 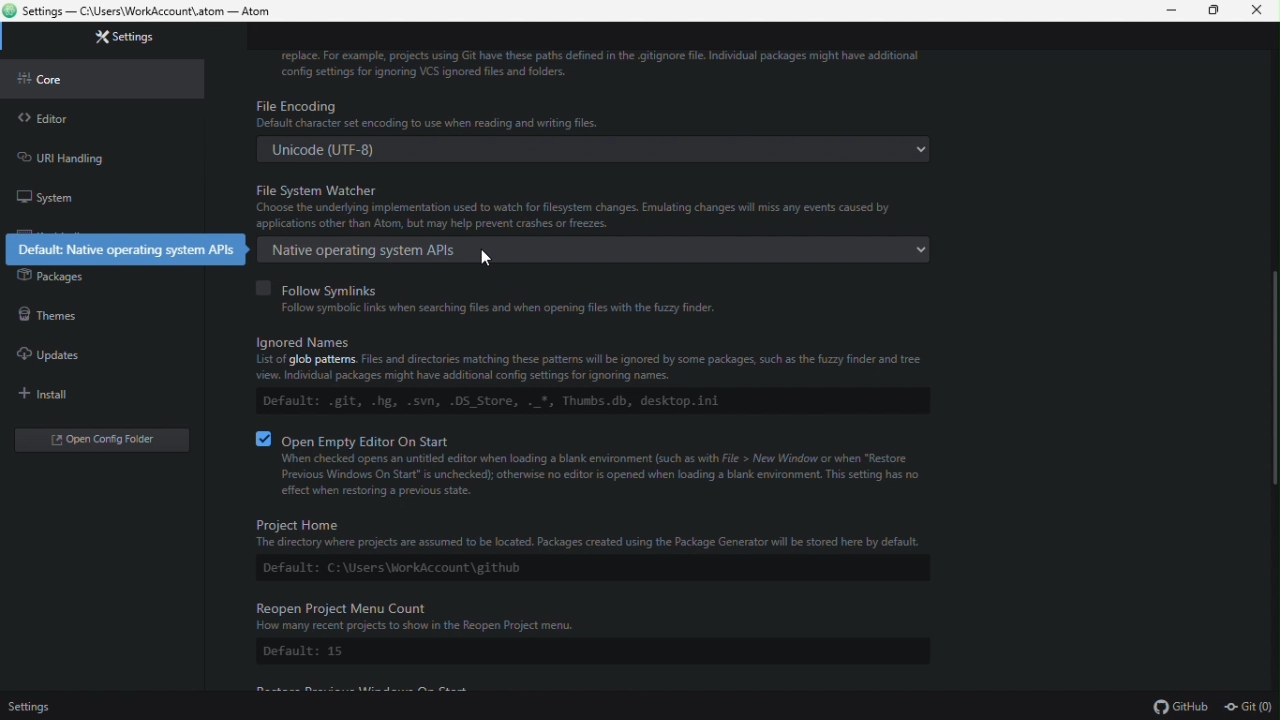 What do you see at coordinates (601, 380) in the screenshot?
I see `ignored names` at bounding box center [601, 380].